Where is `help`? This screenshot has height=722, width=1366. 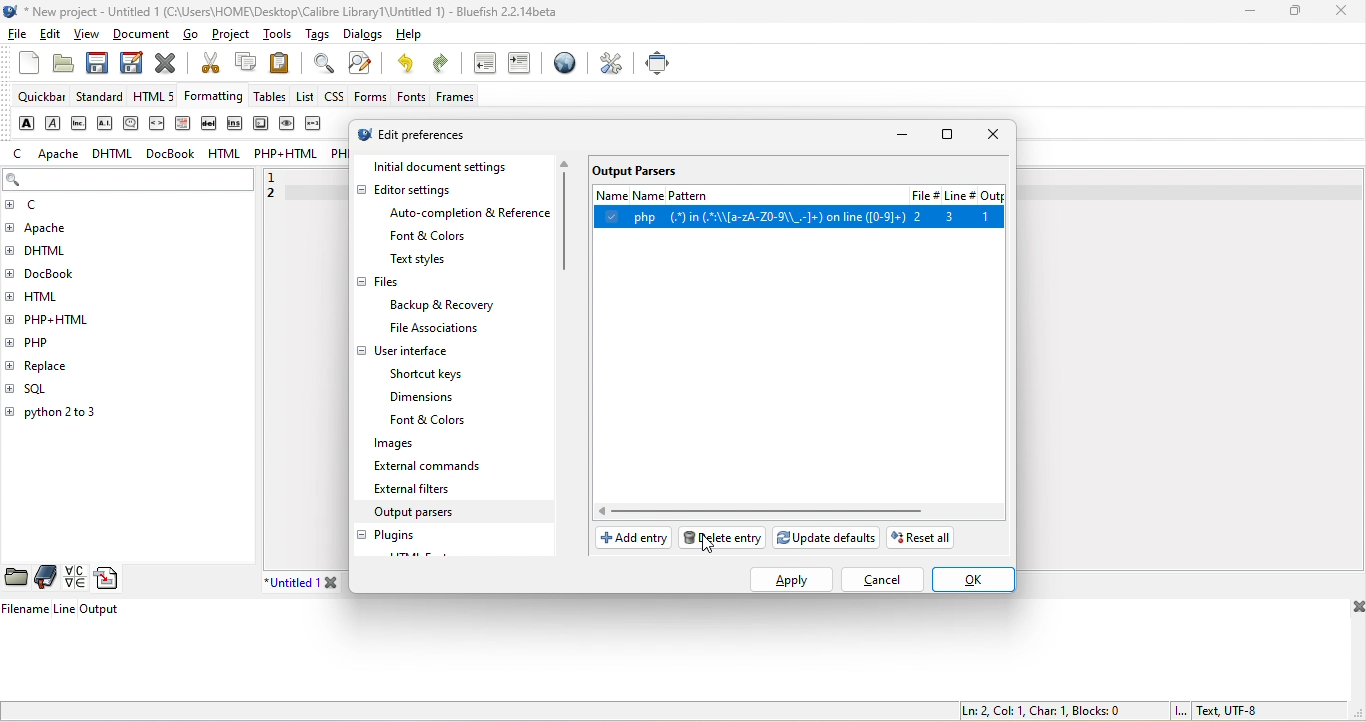 help is located at coordinates (405, 37).